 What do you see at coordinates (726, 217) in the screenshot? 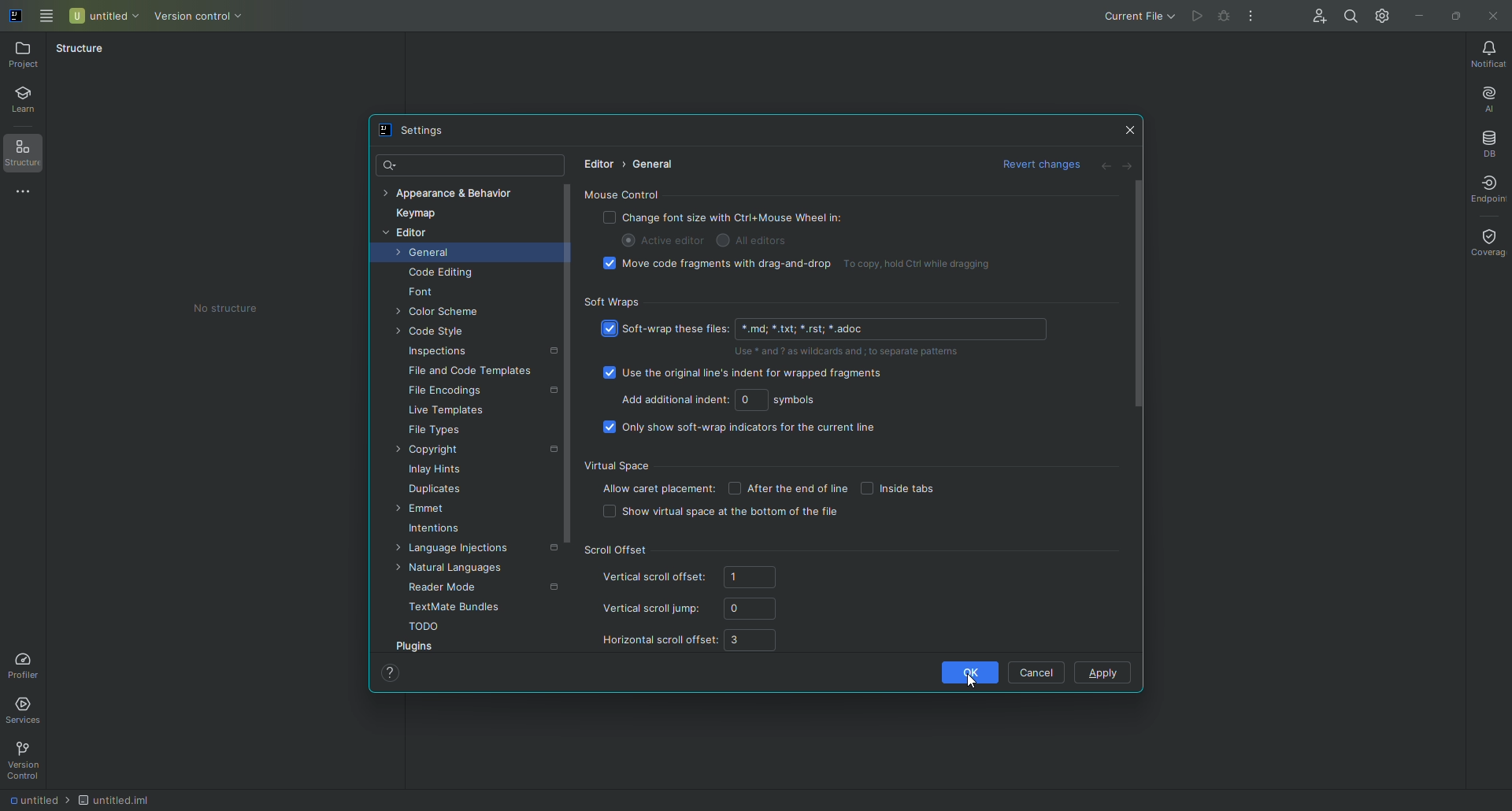
I see `Change font size` at bounding box center [726, 217].